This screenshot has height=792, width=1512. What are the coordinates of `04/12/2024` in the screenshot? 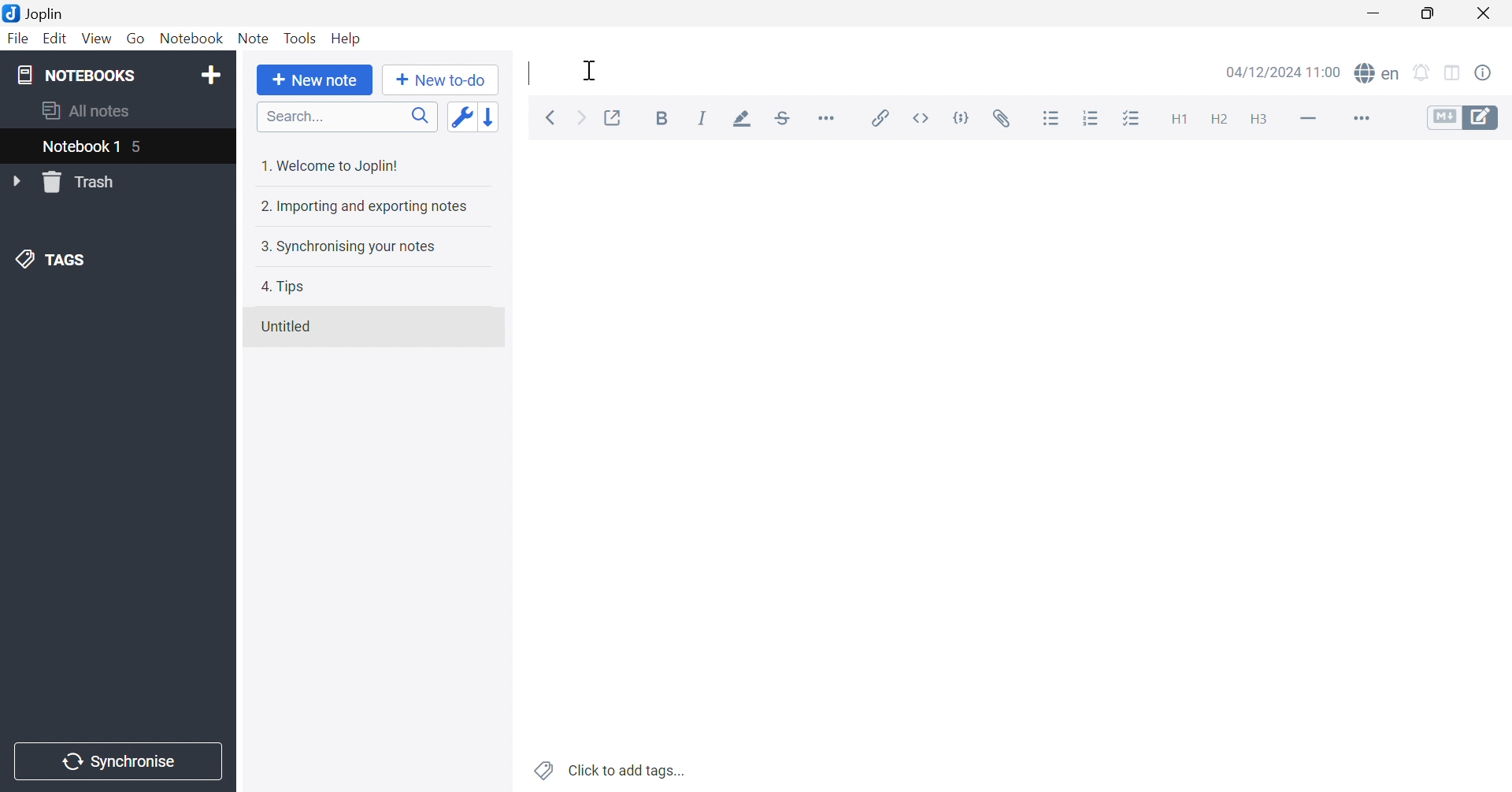 It's located at (1280, 72).